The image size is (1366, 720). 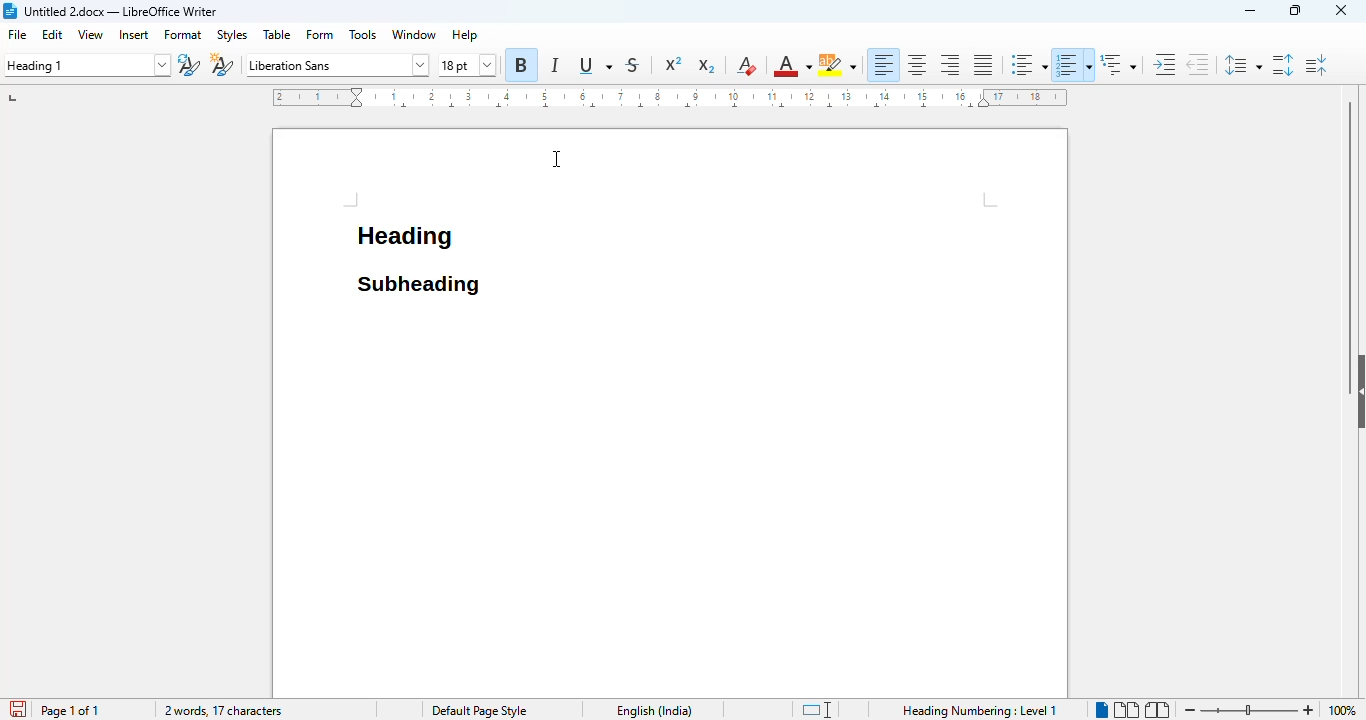 What do you see at coordinates (53, 34) in the screenshot?
I see `edit` at bounding box center [53, 34].